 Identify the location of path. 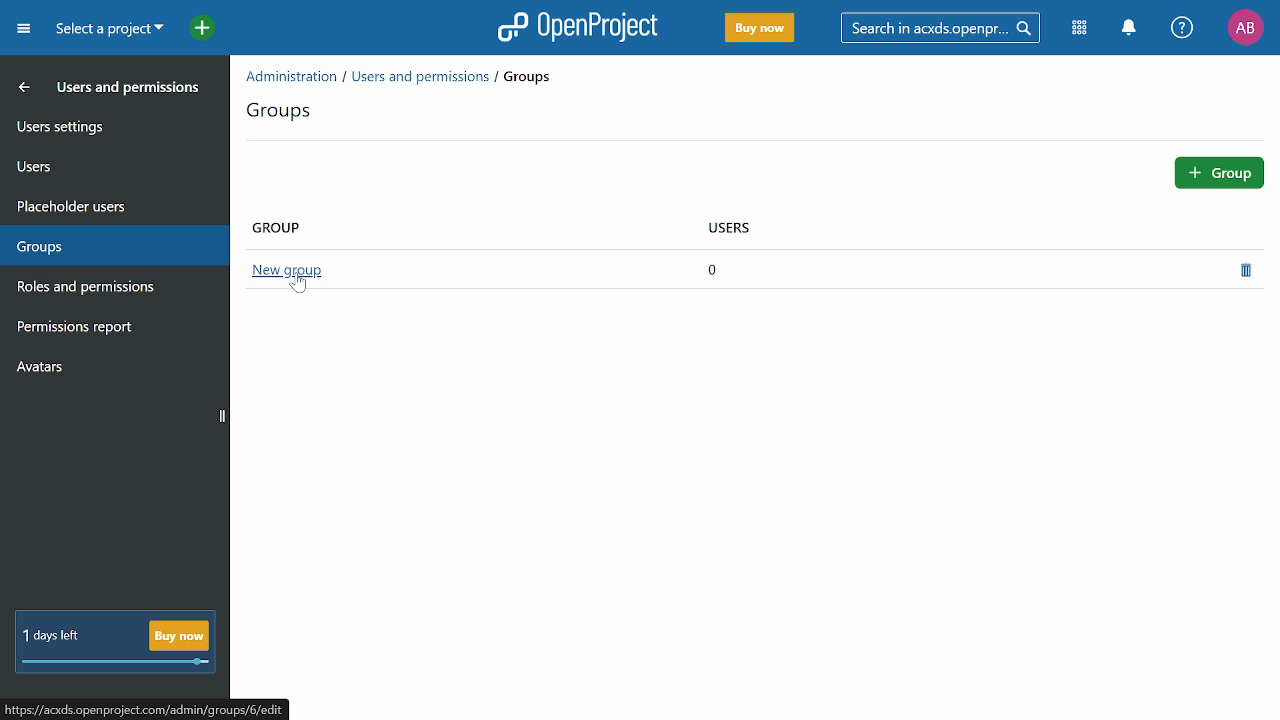
(405, 75).